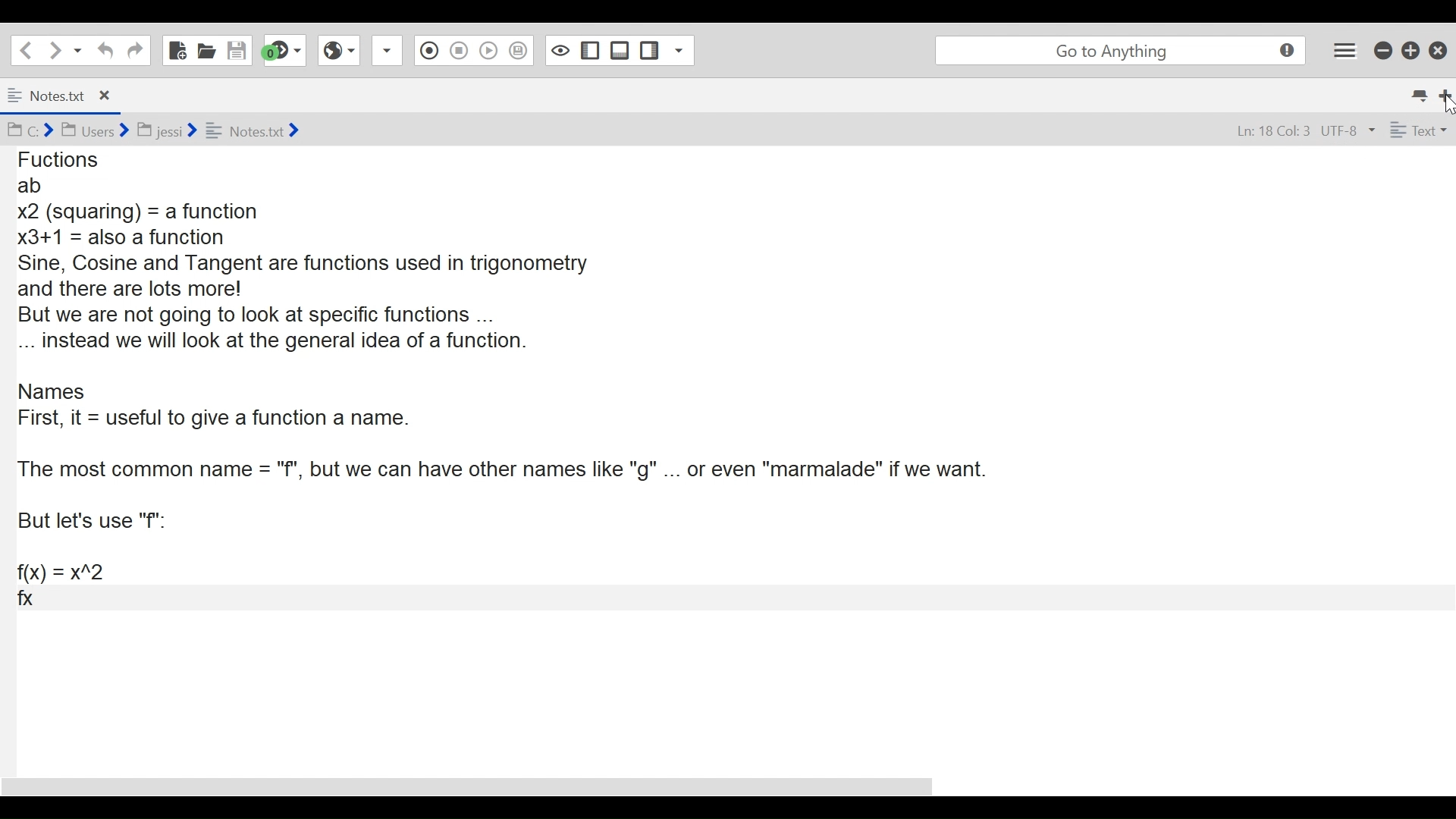  What do you see at coordinates (1445, 93) in the screenshot?
I see `New Tab` at bounding box center [1445, 93].